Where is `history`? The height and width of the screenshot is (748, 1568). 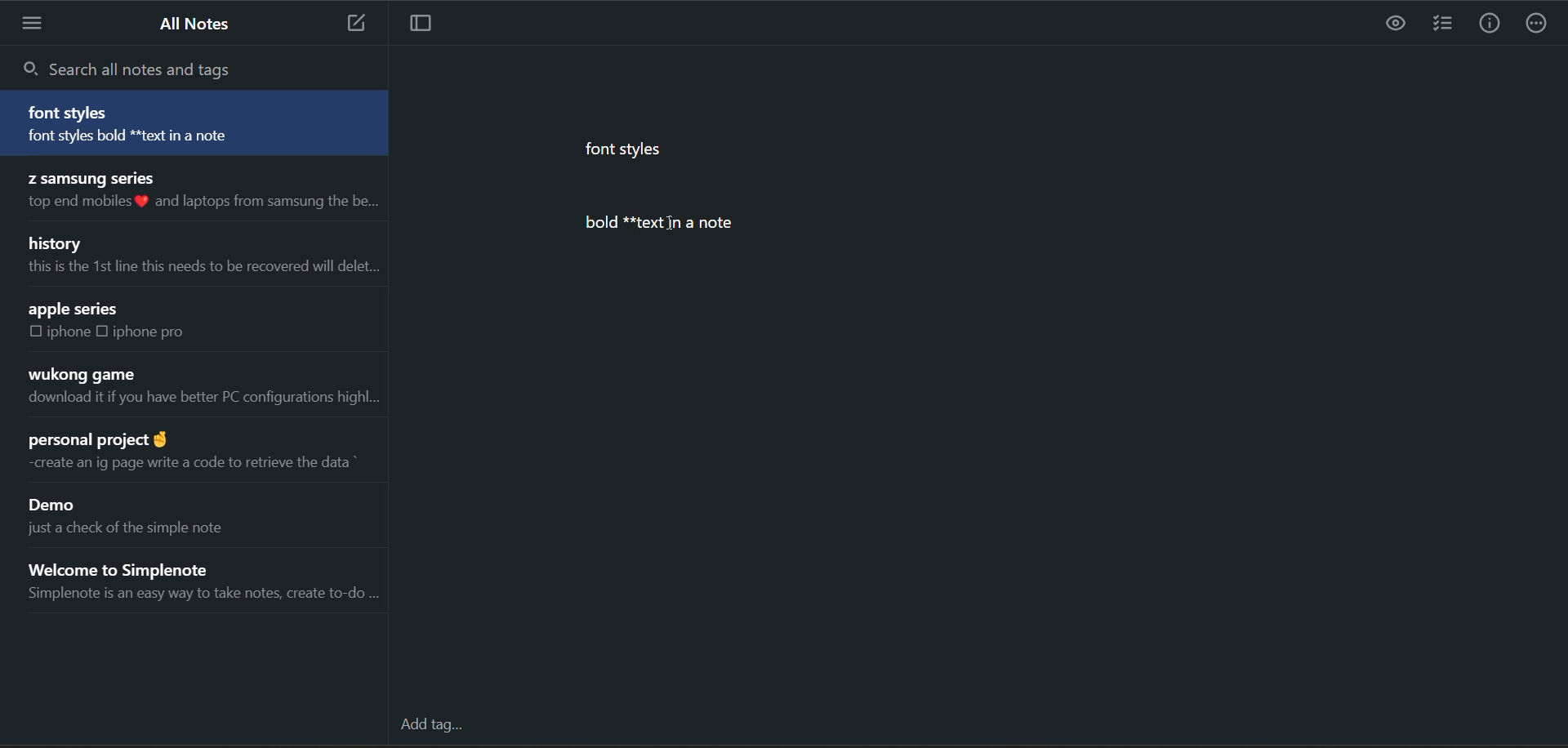 history is located at coordinates (58, 242).